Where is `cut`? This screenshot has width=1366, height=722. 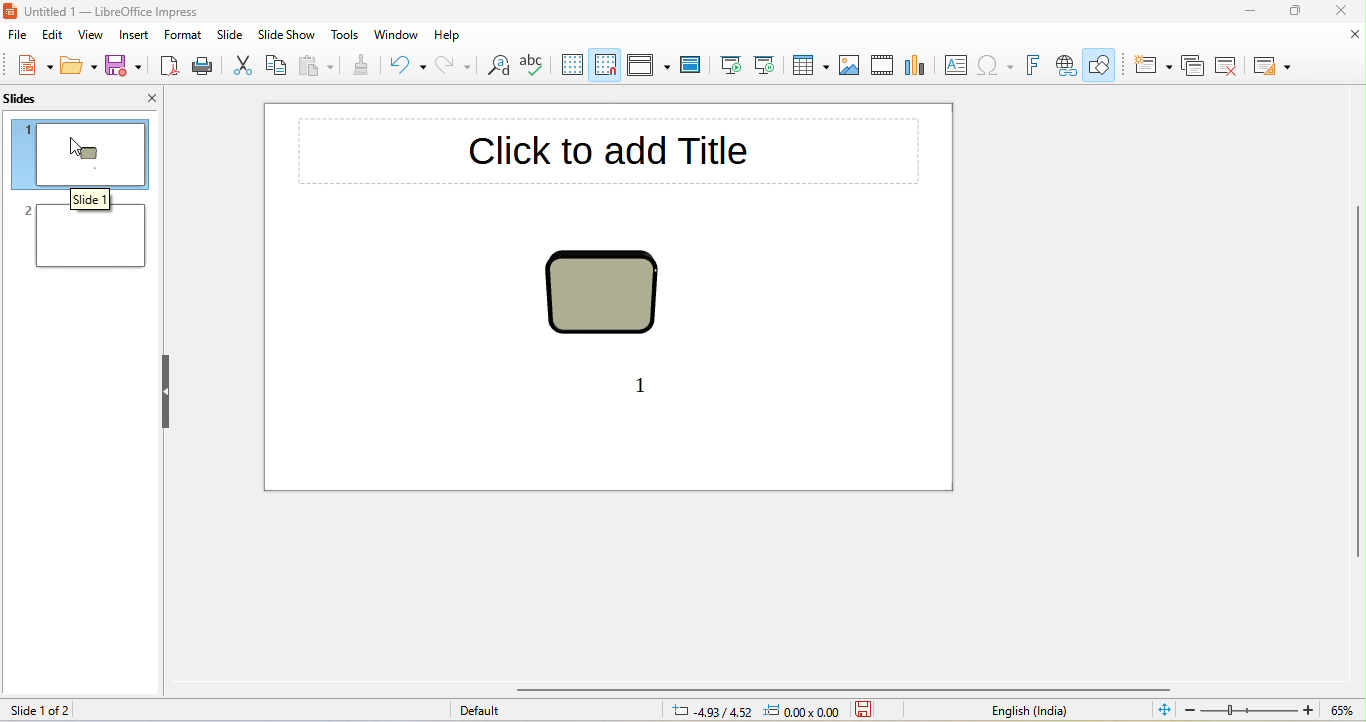
cut is located at coordinates (245, 66).